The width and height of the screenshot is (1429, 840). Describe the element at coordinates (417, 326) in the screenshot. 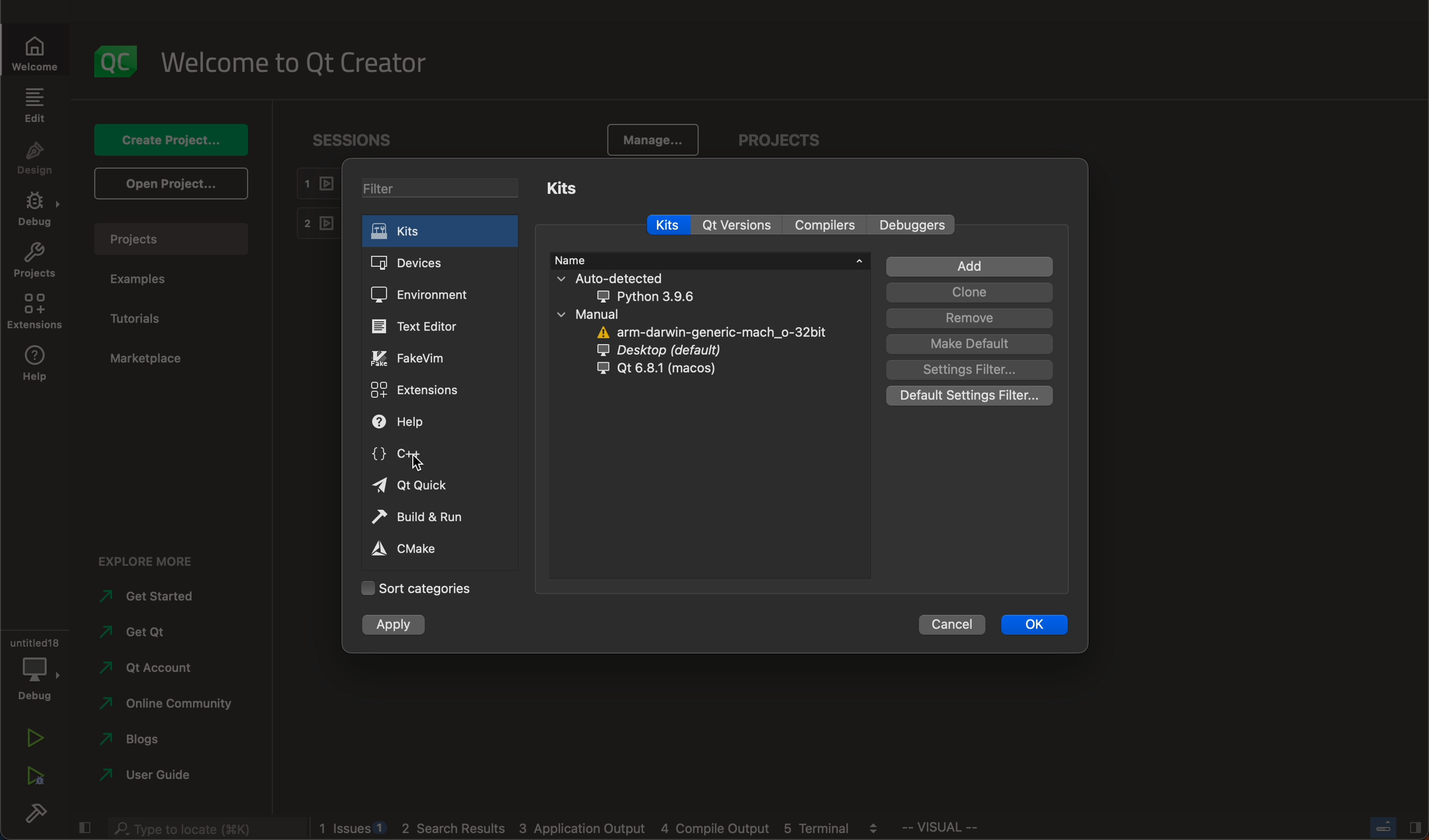

I see `editor` at that location.